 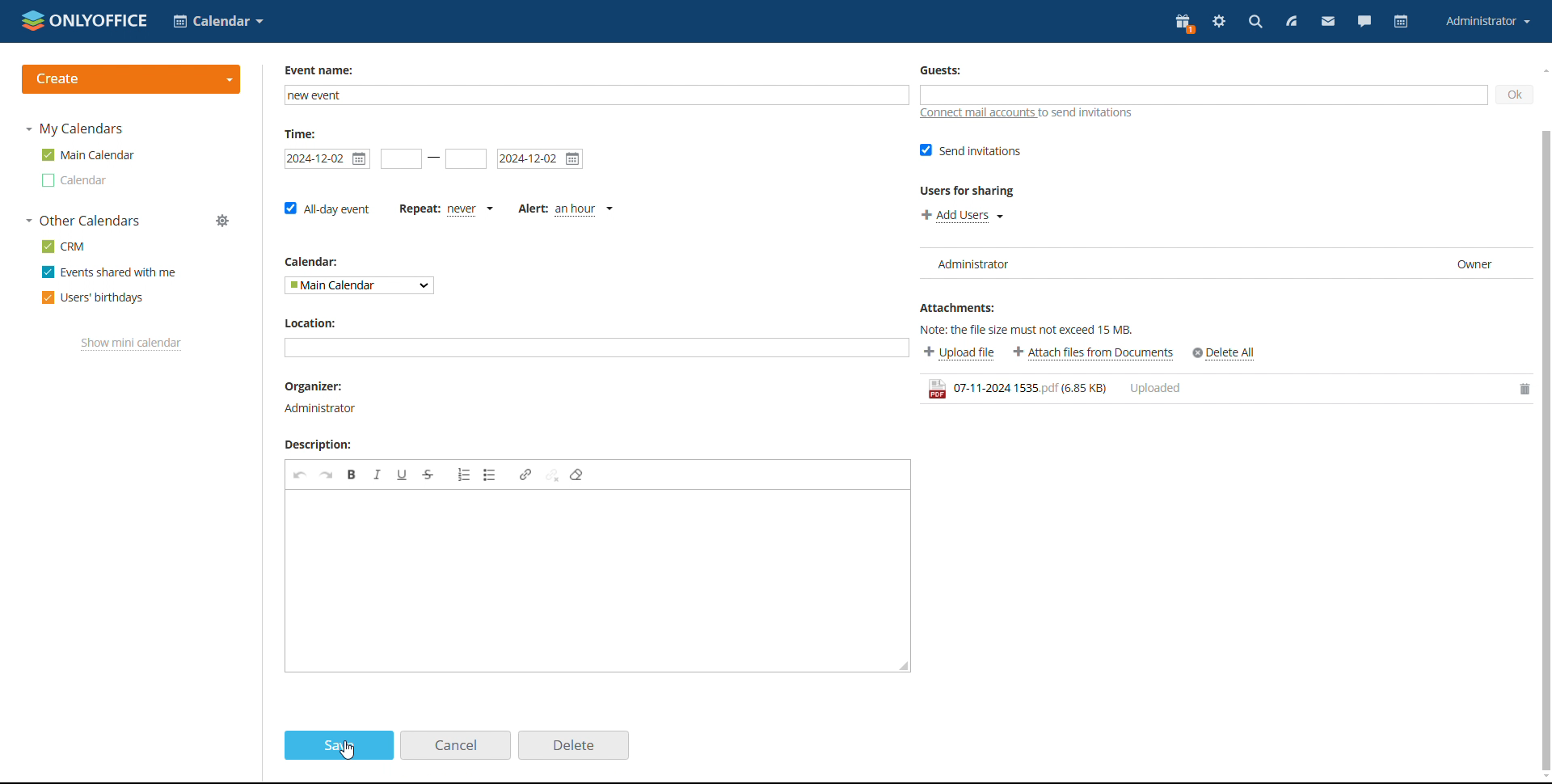 What do you see at coordinates (1256, 23) in the screenshot?
I see `search` at bounding box center [1256, 23].